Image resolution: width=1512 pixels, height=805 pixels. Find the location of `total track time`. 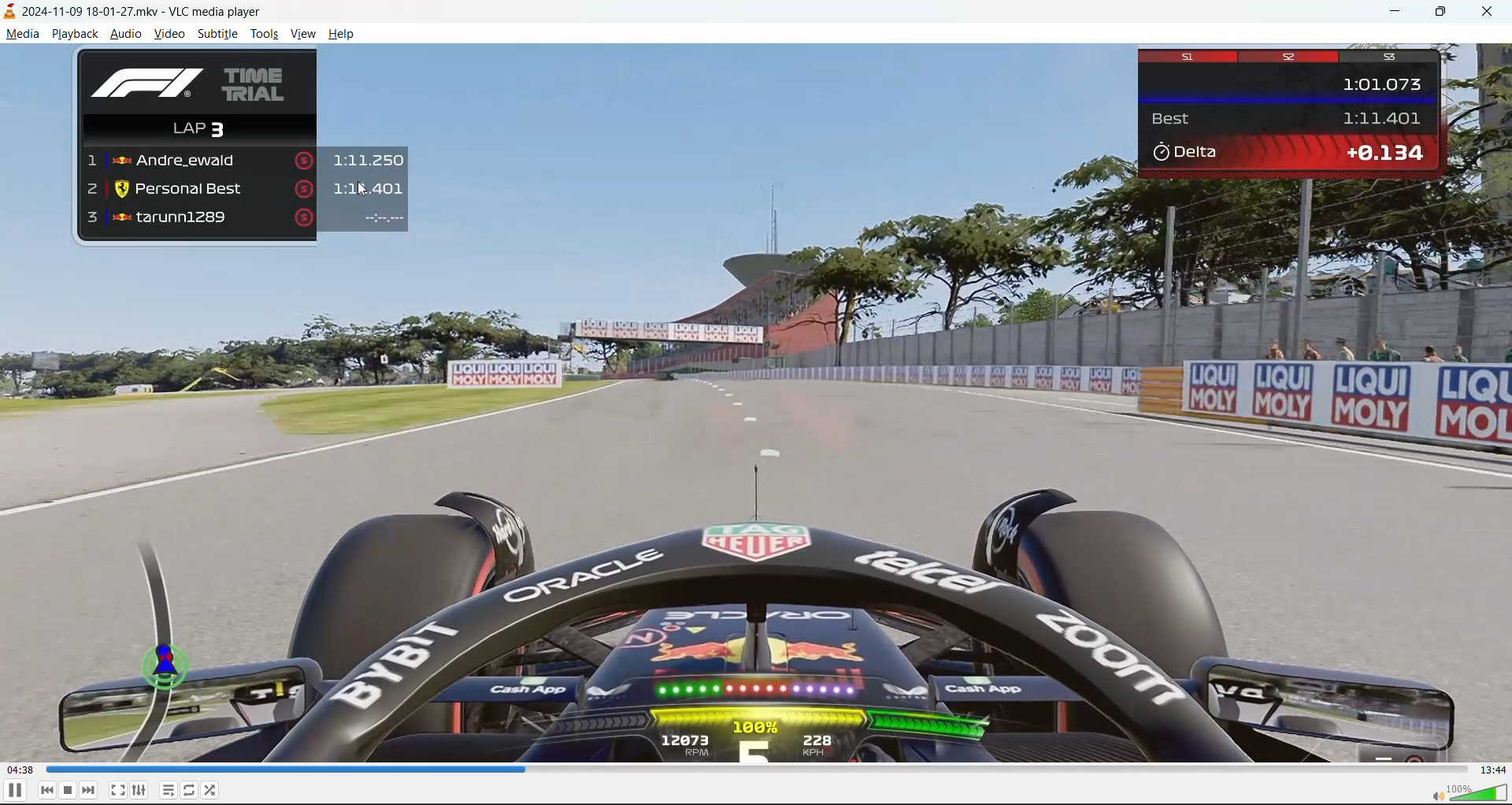

total track time is located at coordinates (1494, 770).